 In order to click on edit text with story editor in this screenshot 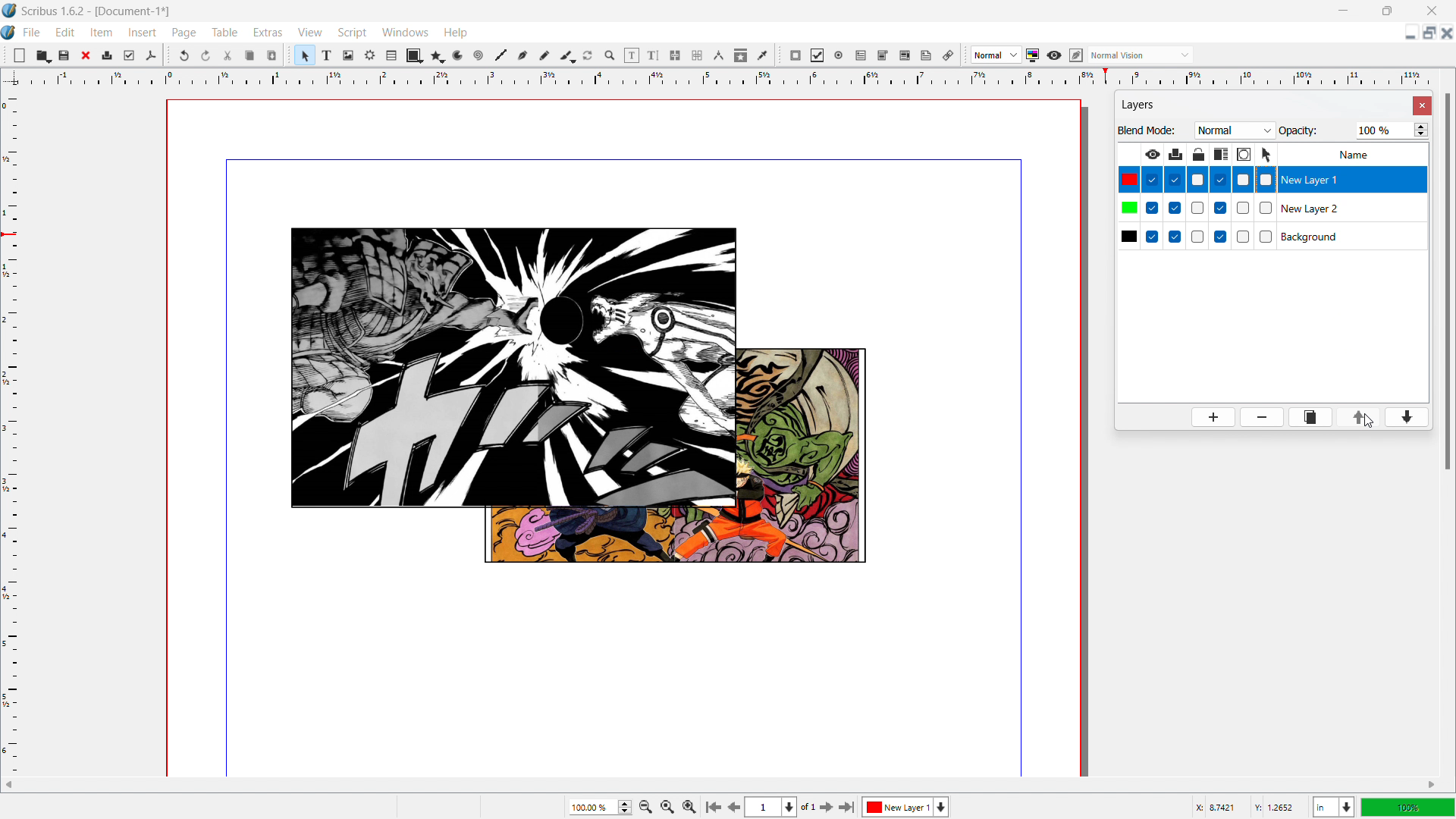, I will do `click(654, 55)`.